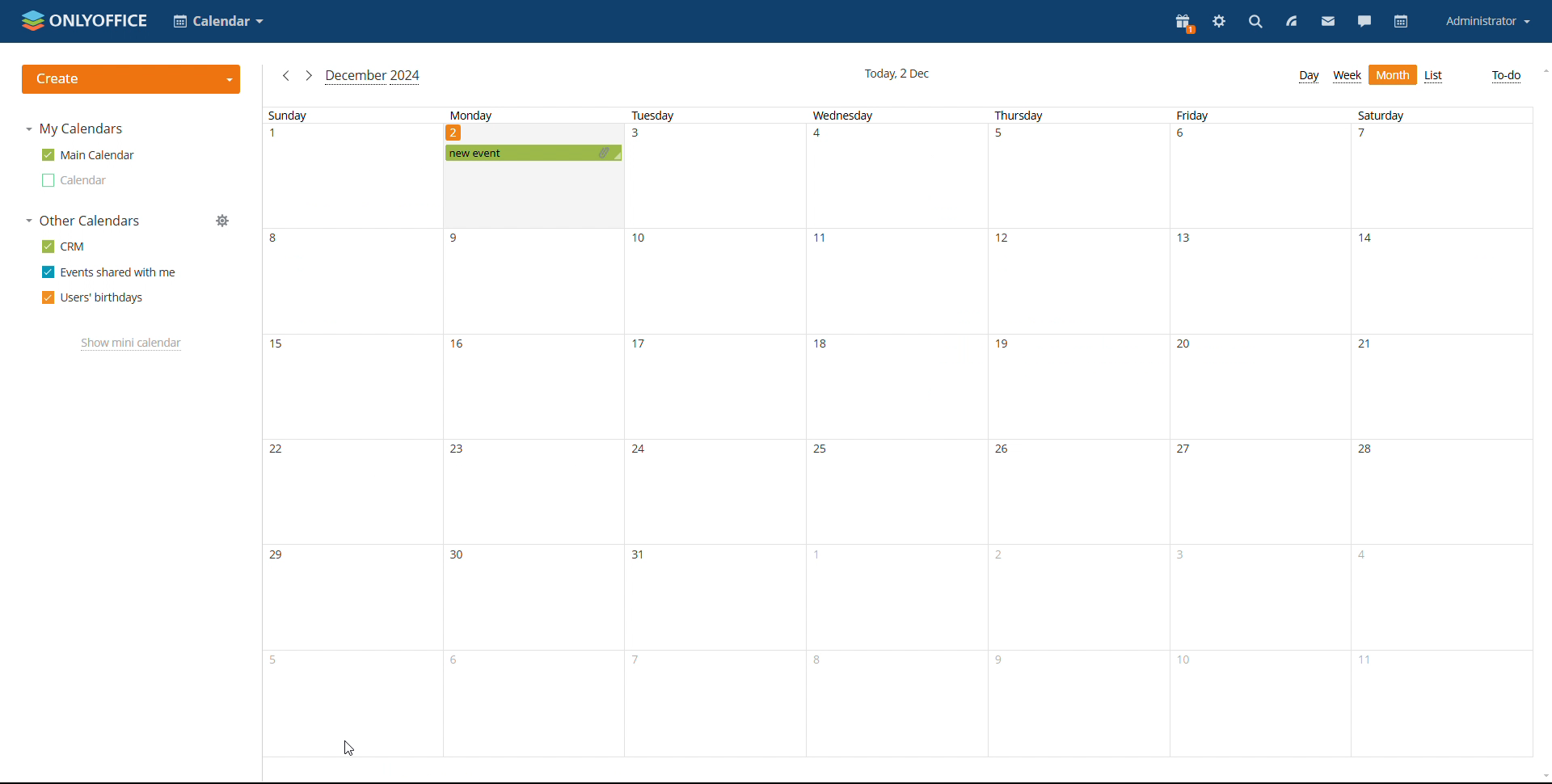 Image resolution: width=1552 pixels, height=784 pixels. What do you see at coordinates (713, 431) in the screenshot?
I see `tuesday` at bounding box center [713, 431].